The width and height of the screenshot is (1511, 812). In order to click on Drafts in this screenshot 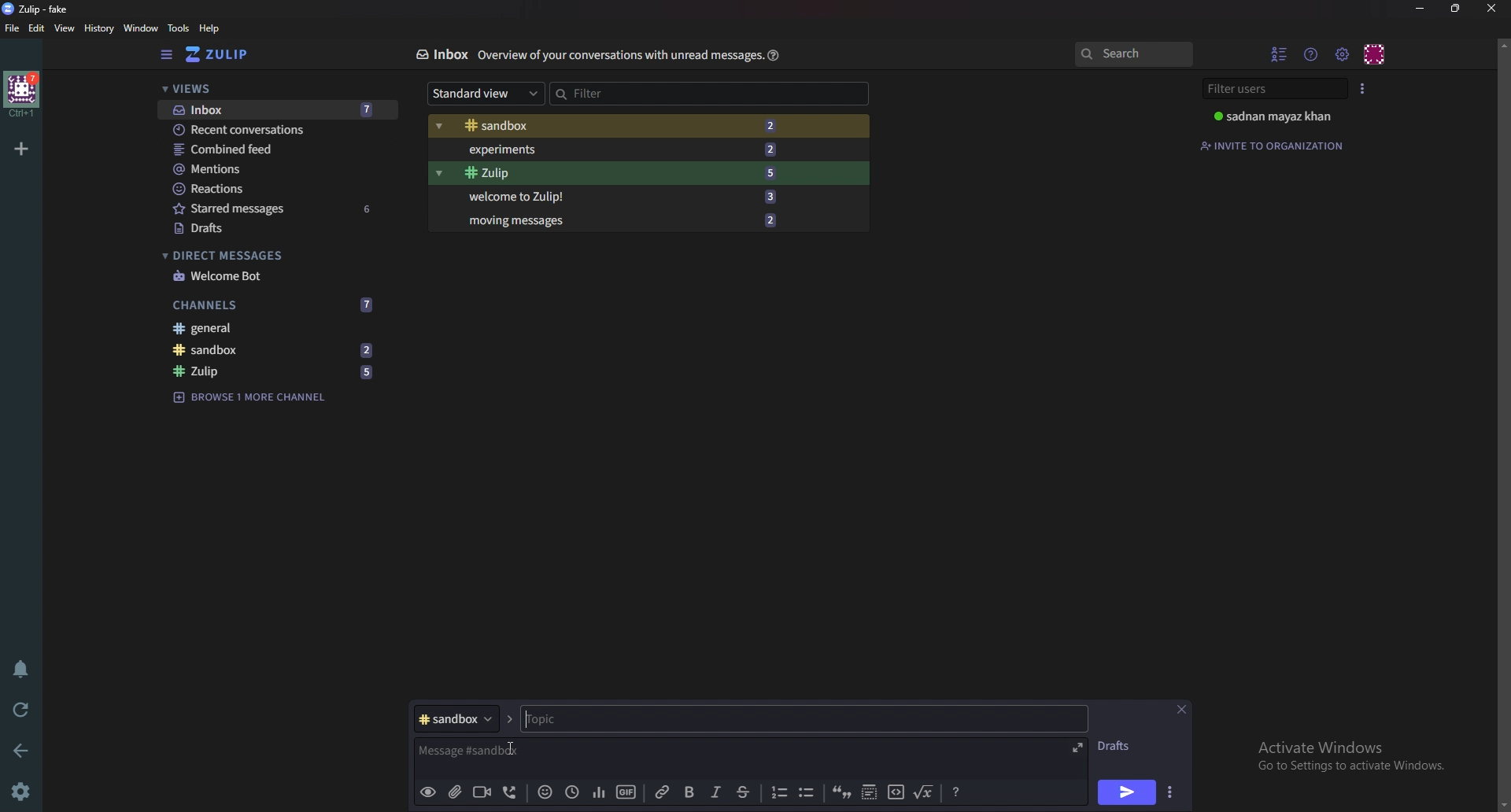, I will do `click(275, 230)`.